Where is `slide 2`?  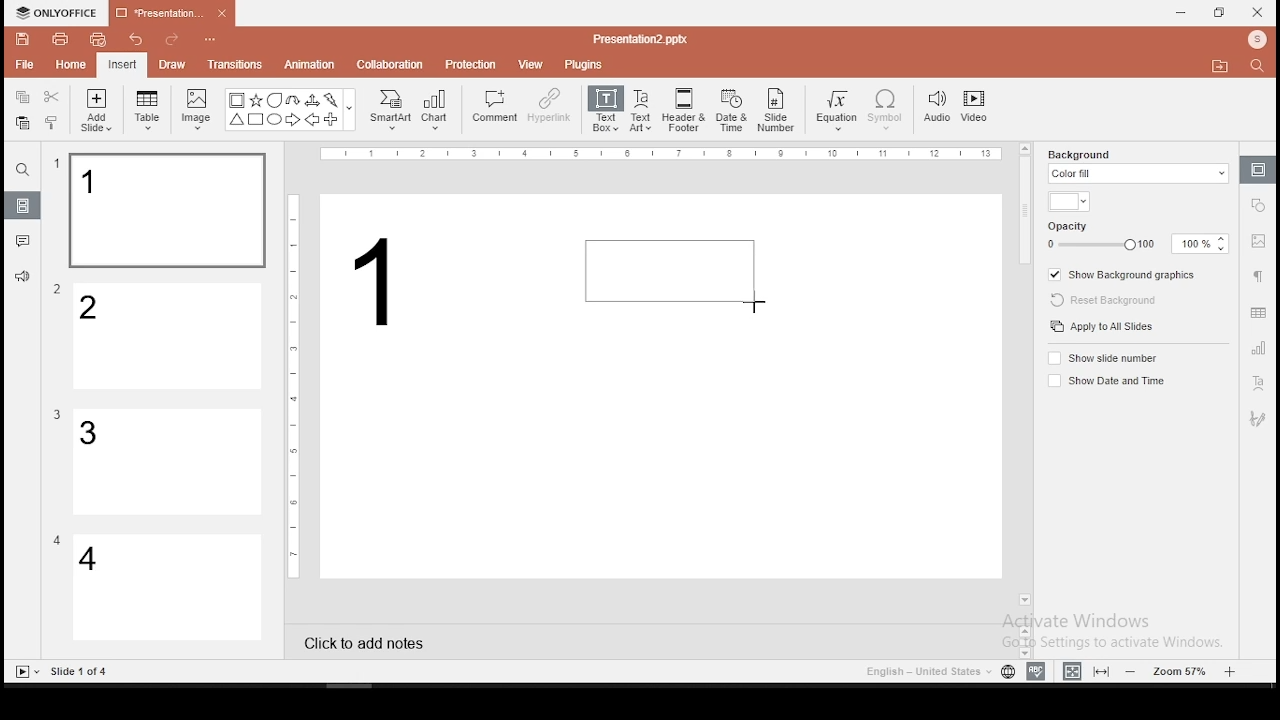 slide 2 is located at coordinates (169, 337).